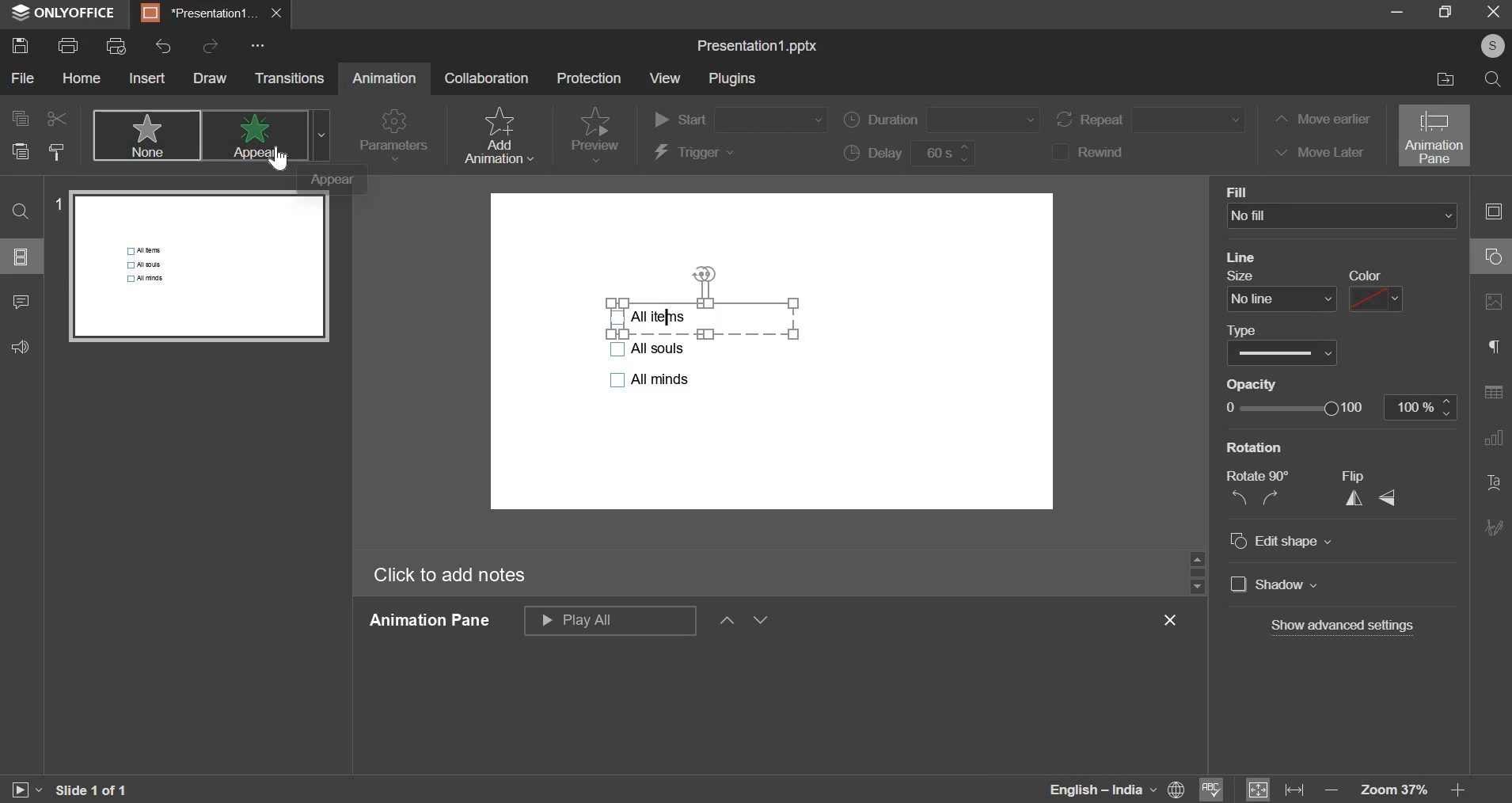 This screenshot has height=803, width=1512. Describe the element at coordinates (20, 153) in the screenshot. I see `paste` at that location.